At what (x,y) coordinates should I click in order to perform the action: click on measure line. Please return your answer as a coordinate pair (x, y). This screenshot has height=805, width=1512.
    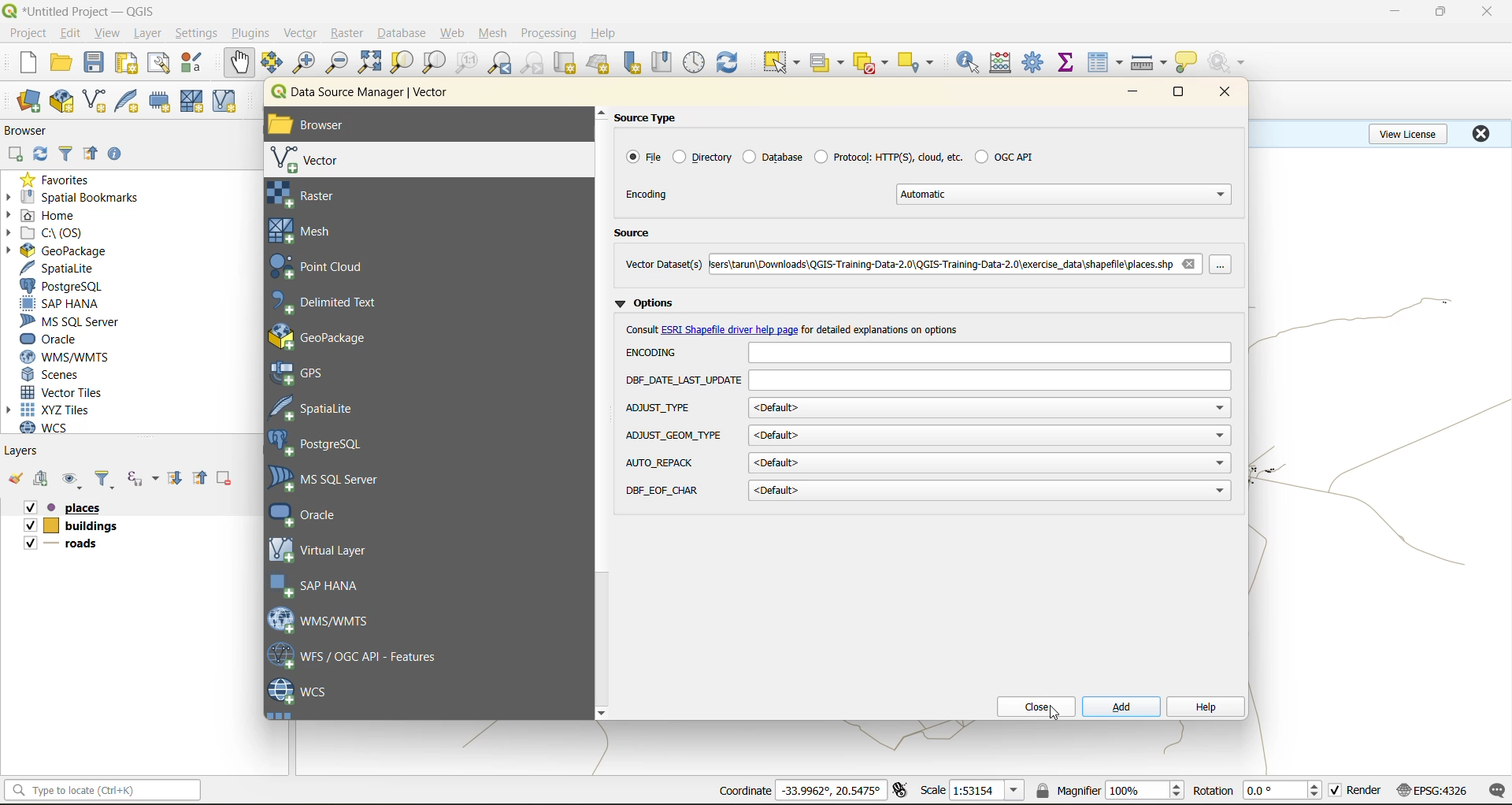
    Looking at the image, I should click on (1151, 63).